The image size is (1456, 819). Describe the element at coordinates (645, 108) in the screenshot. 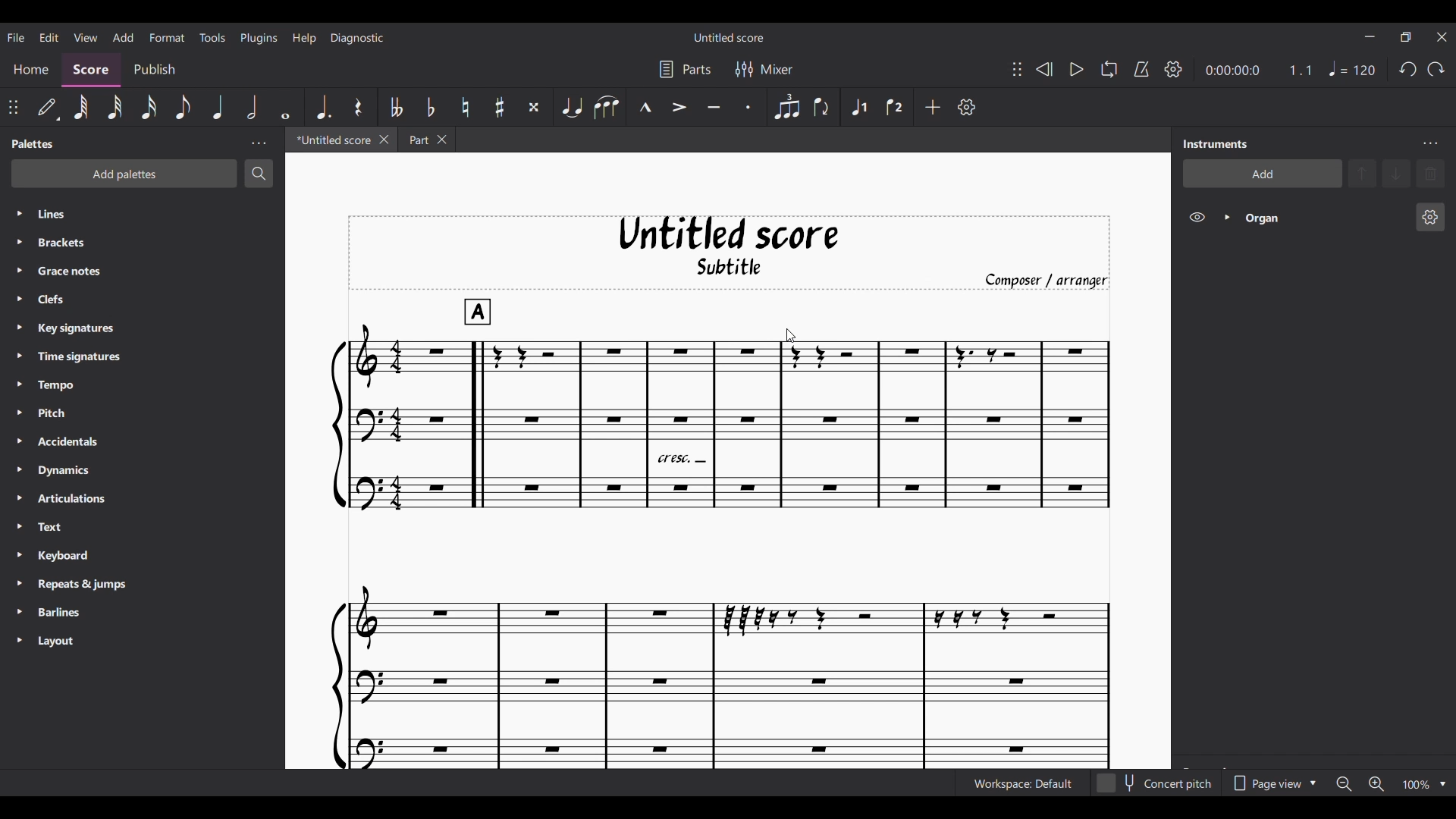

I see `Marcato` at that location.